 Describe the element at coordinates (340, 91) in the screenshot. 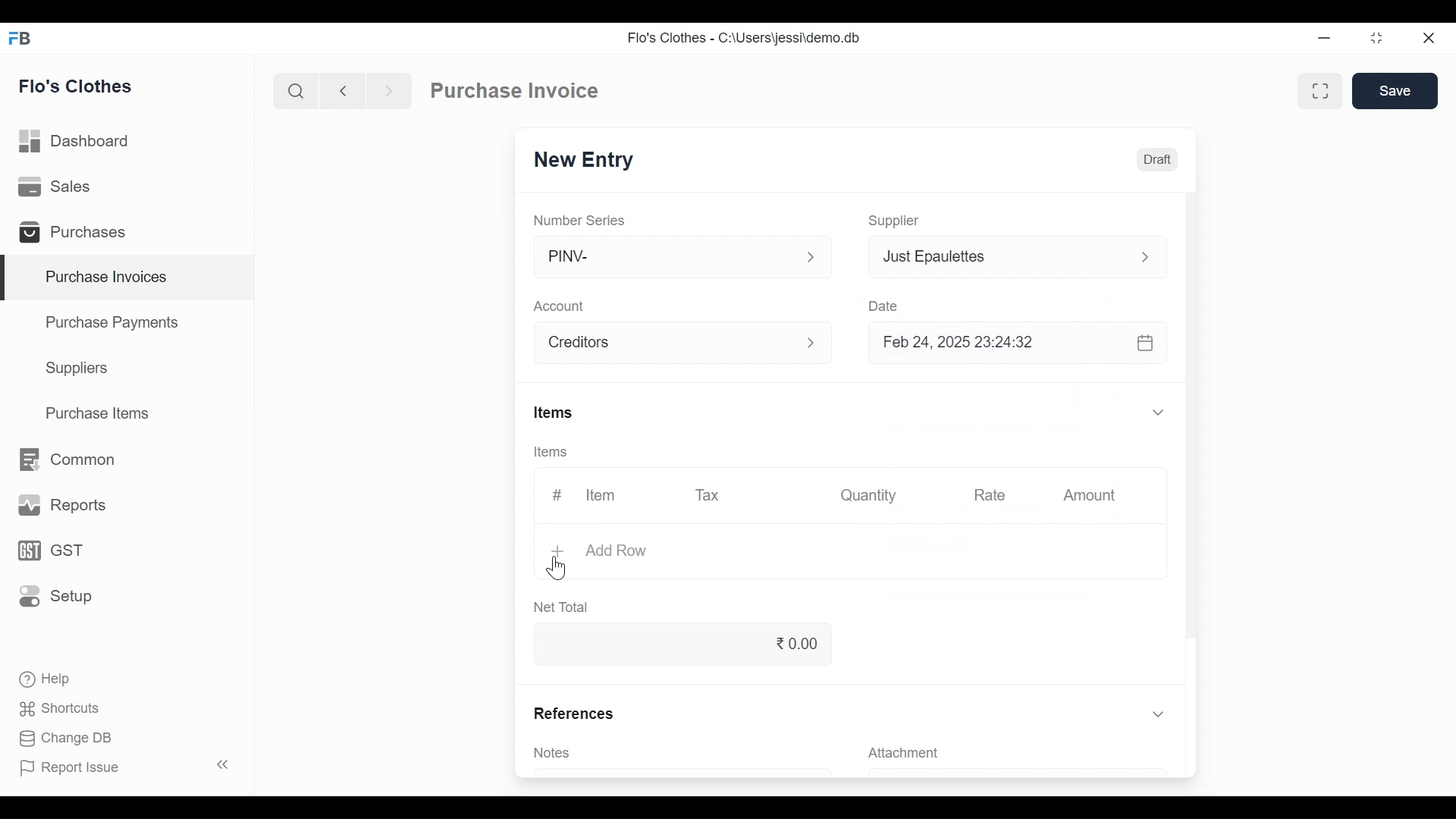

I see `Navigate back` at that location.